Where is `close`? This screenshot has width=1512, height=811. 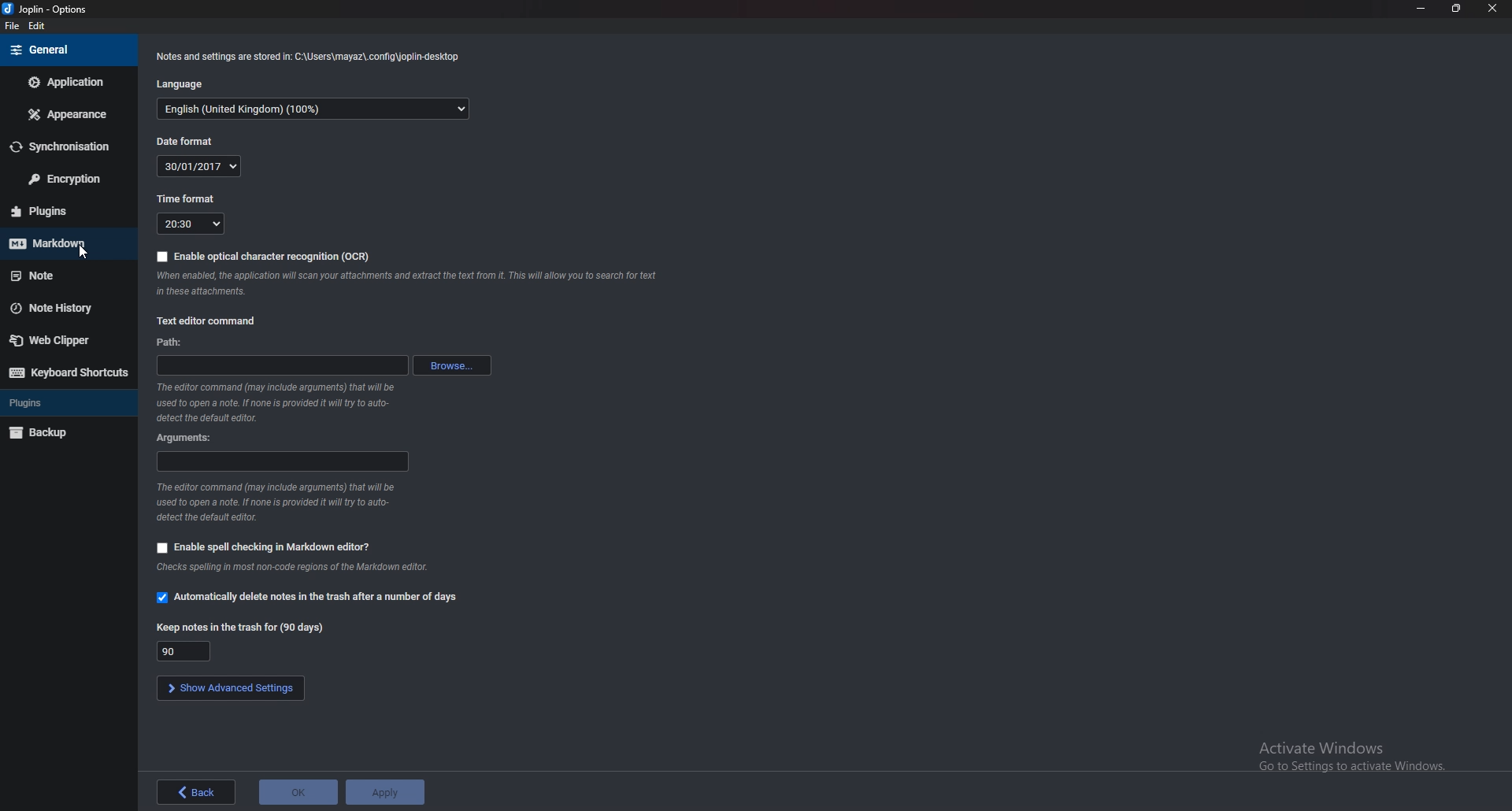
close is located at coordinates (1494, 8).